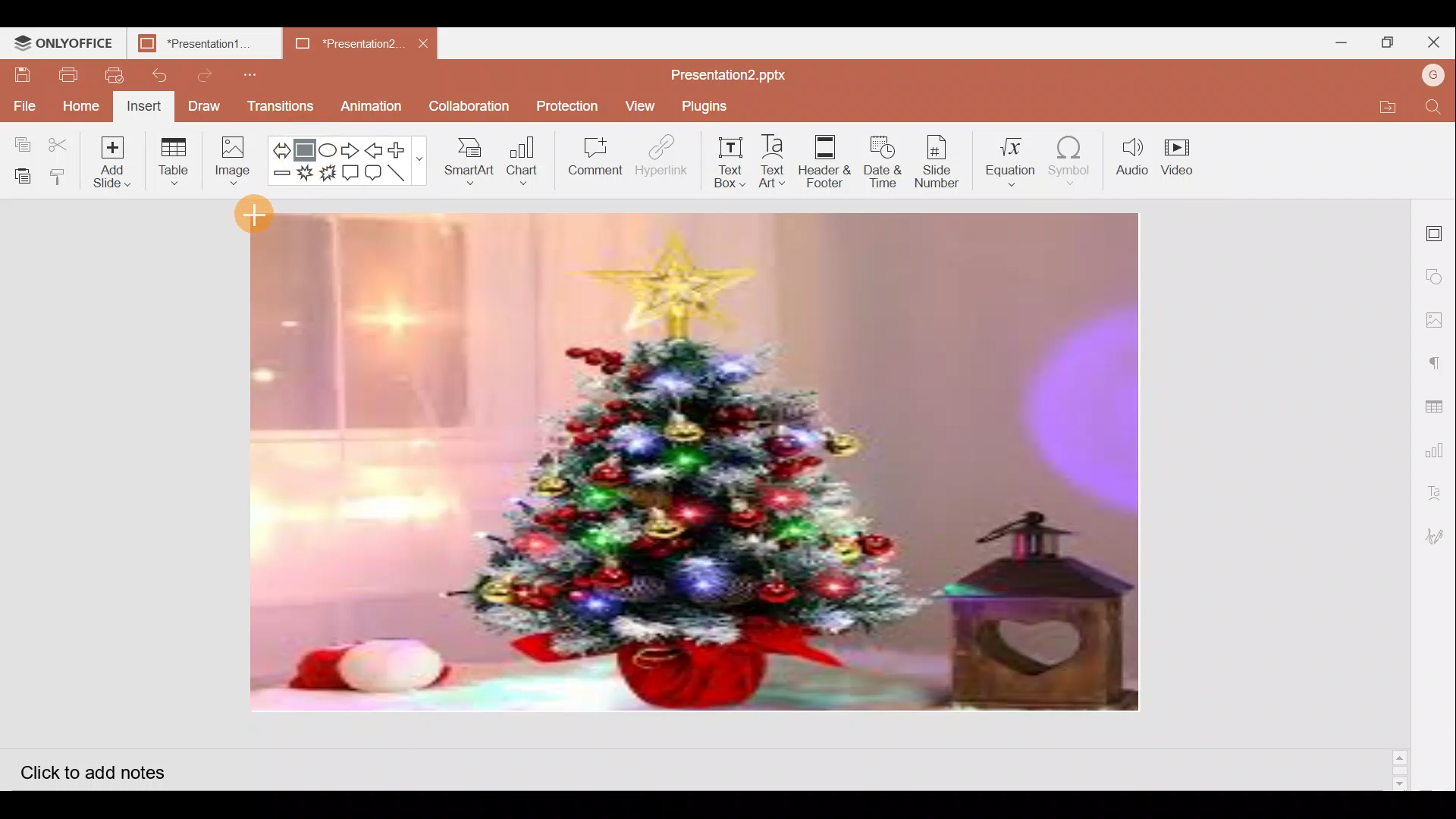  Describe the element at coordinates (1438, 272) in the screenshot. I see `Shape settings` at that location.